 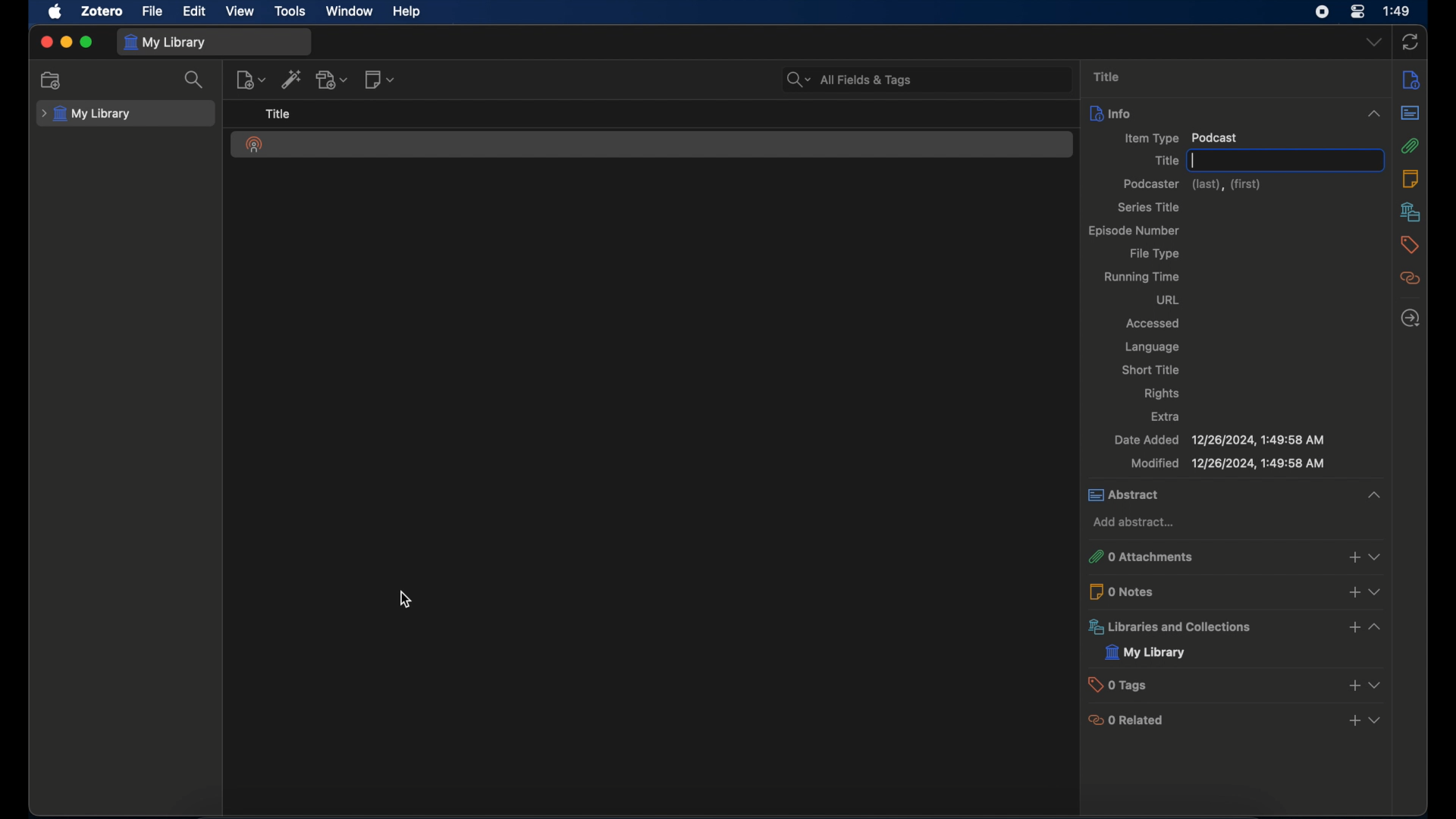 What do you see at coordinates (1219, 441) in the screenshot?
I see `date added 12/26/2024, 1:49:58 AM` at bounding box center [1219, 441].